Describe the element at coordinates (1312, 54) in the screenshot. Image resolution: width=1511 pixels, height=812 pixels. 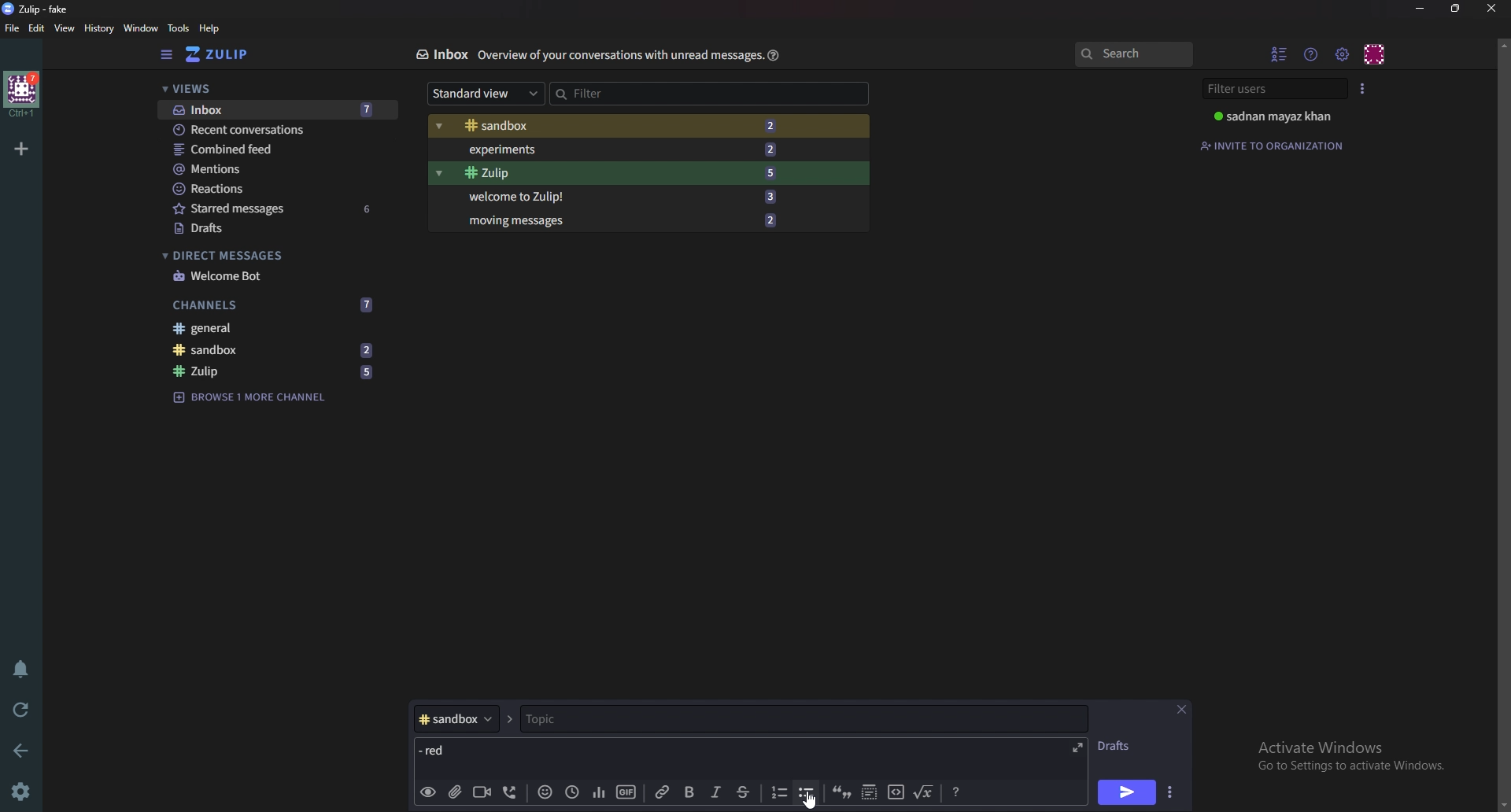
I see `Help menu` at that location.